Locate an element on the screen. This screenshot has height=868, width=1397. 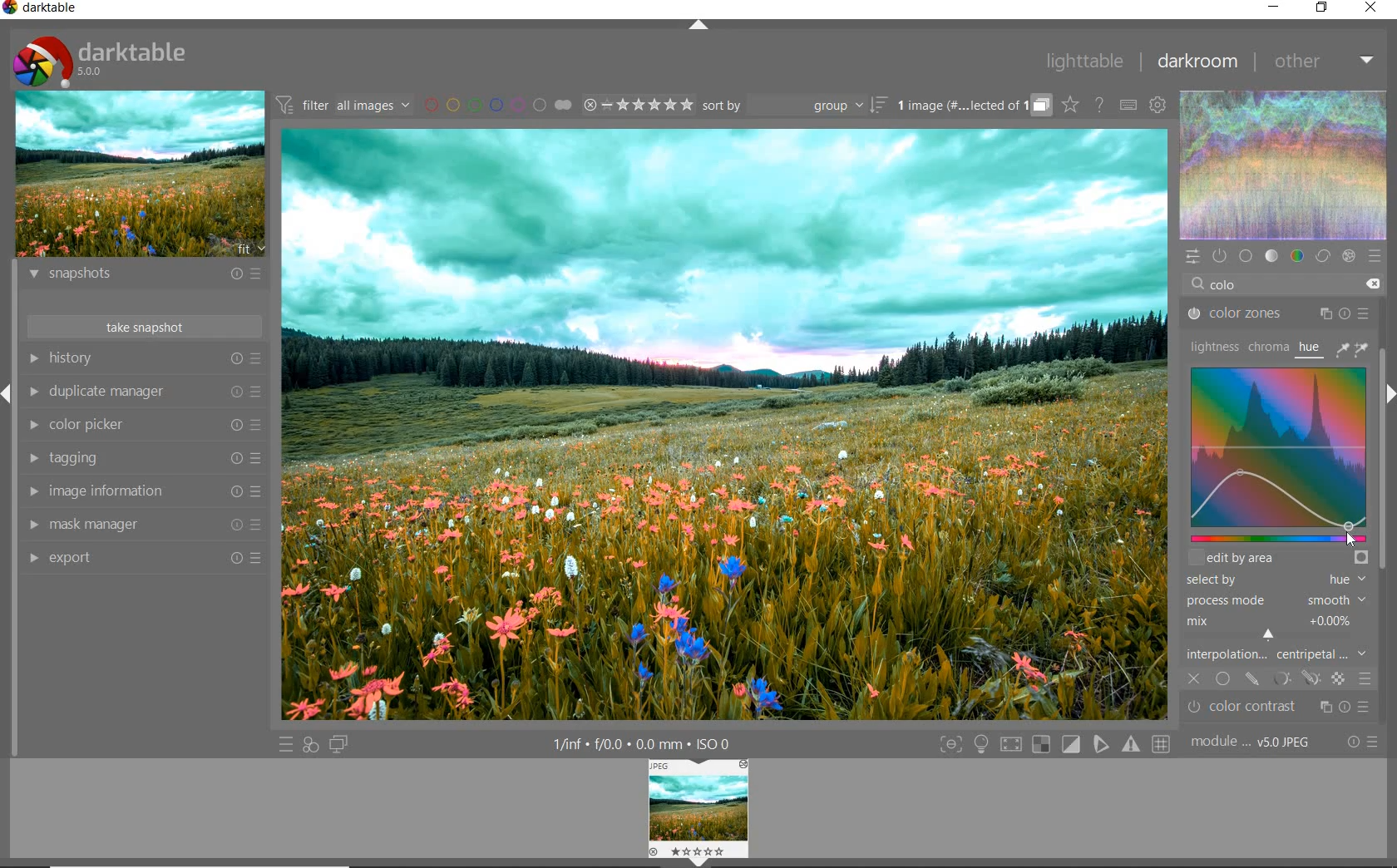
module..v50JPEG is located at coordinates (1255, 742).